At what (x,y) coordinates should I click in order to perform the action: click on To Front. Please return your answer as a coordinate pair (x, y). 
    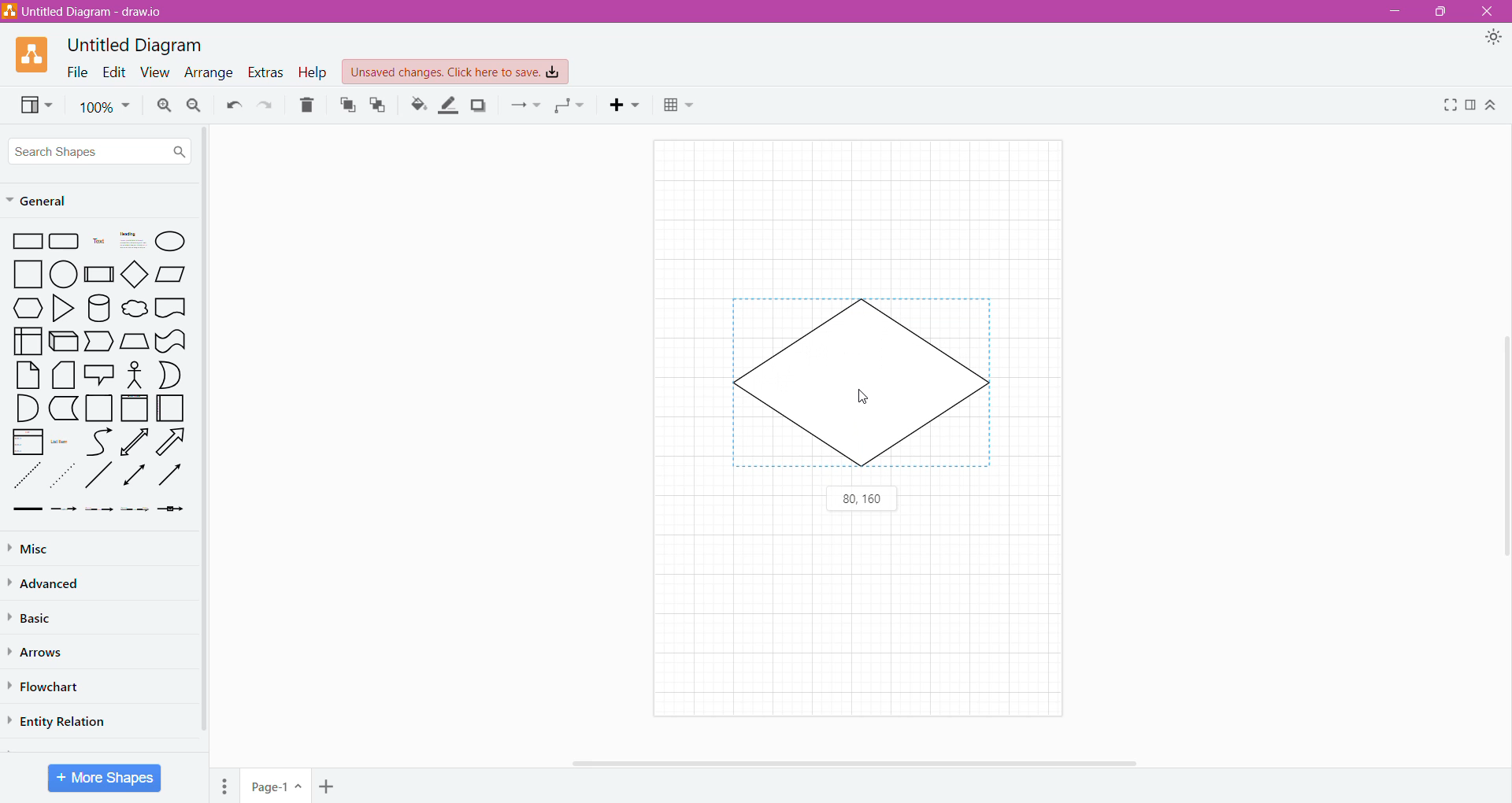
    Looking at the image, I should click on (346, 105).